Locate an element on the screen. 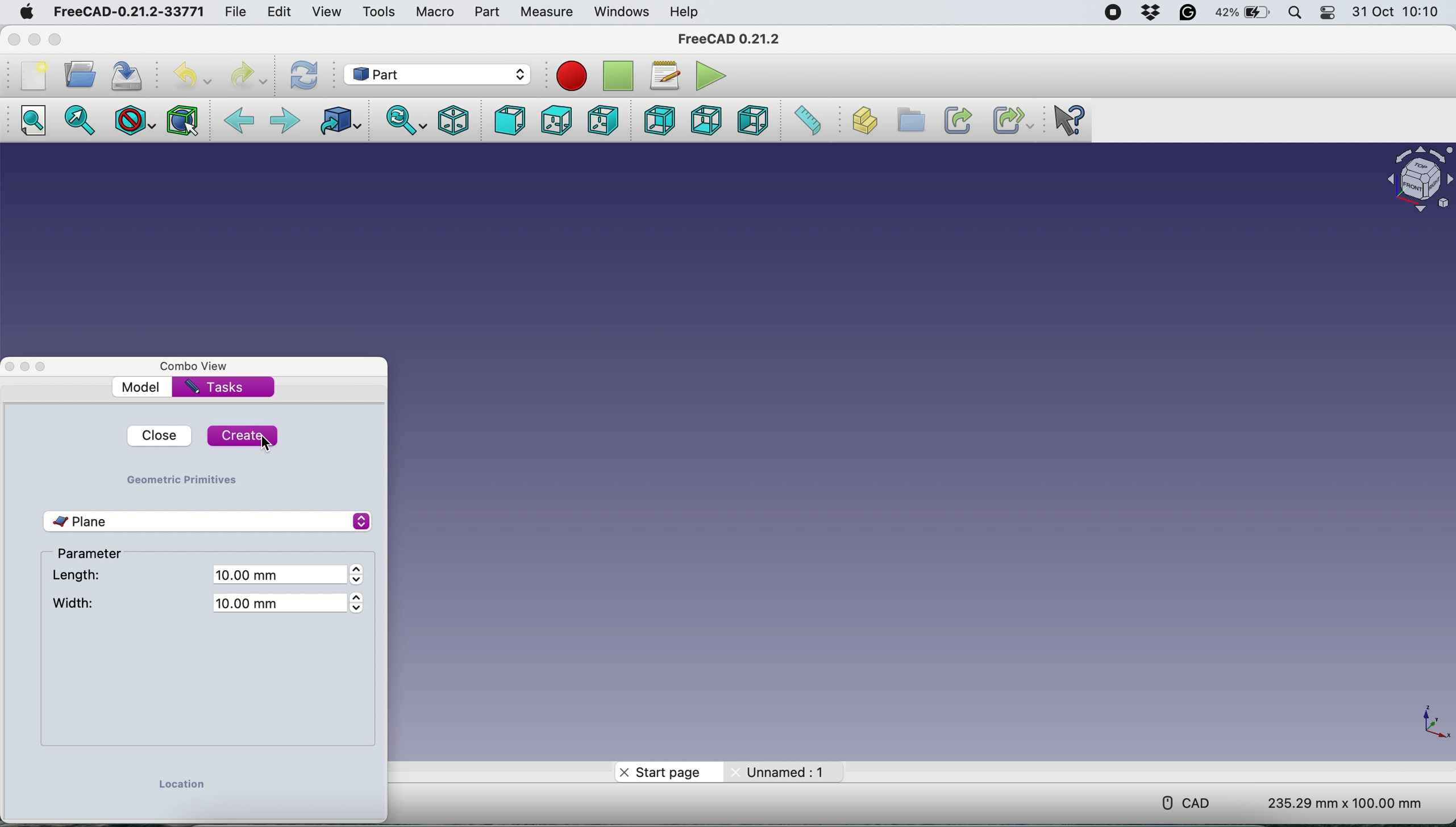 Image resolution: width=1456 pixels, height=827 pixels. Refresh is located at coordinates (304, 76).